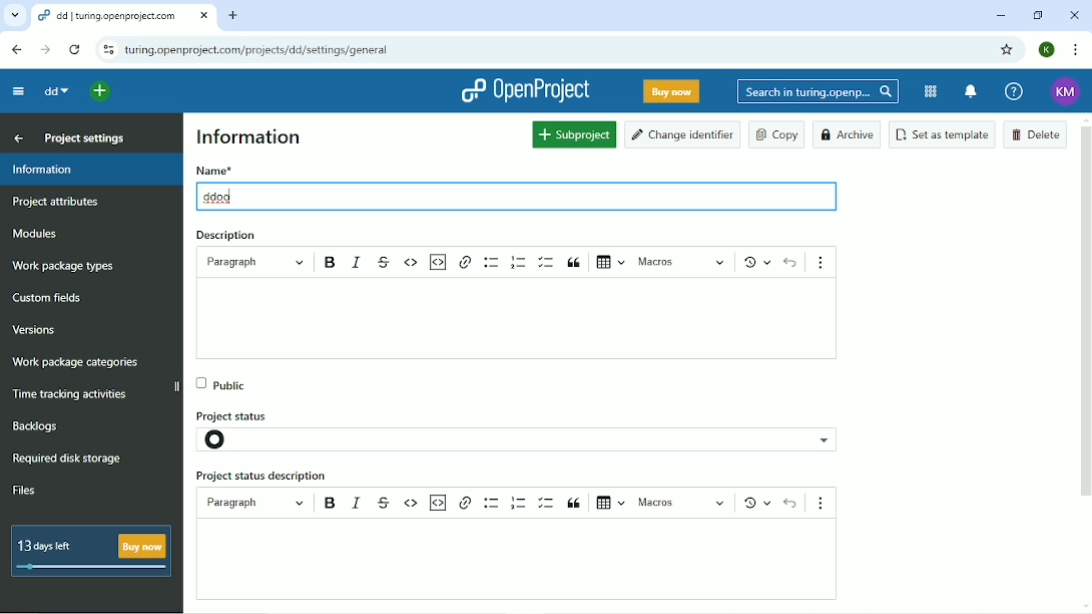 The width and height of the screenshot is (1092, 614). What do you see at coordinates (607, 264) in the screenshot?
I see `Insert table` at bounding box center [607, 264].